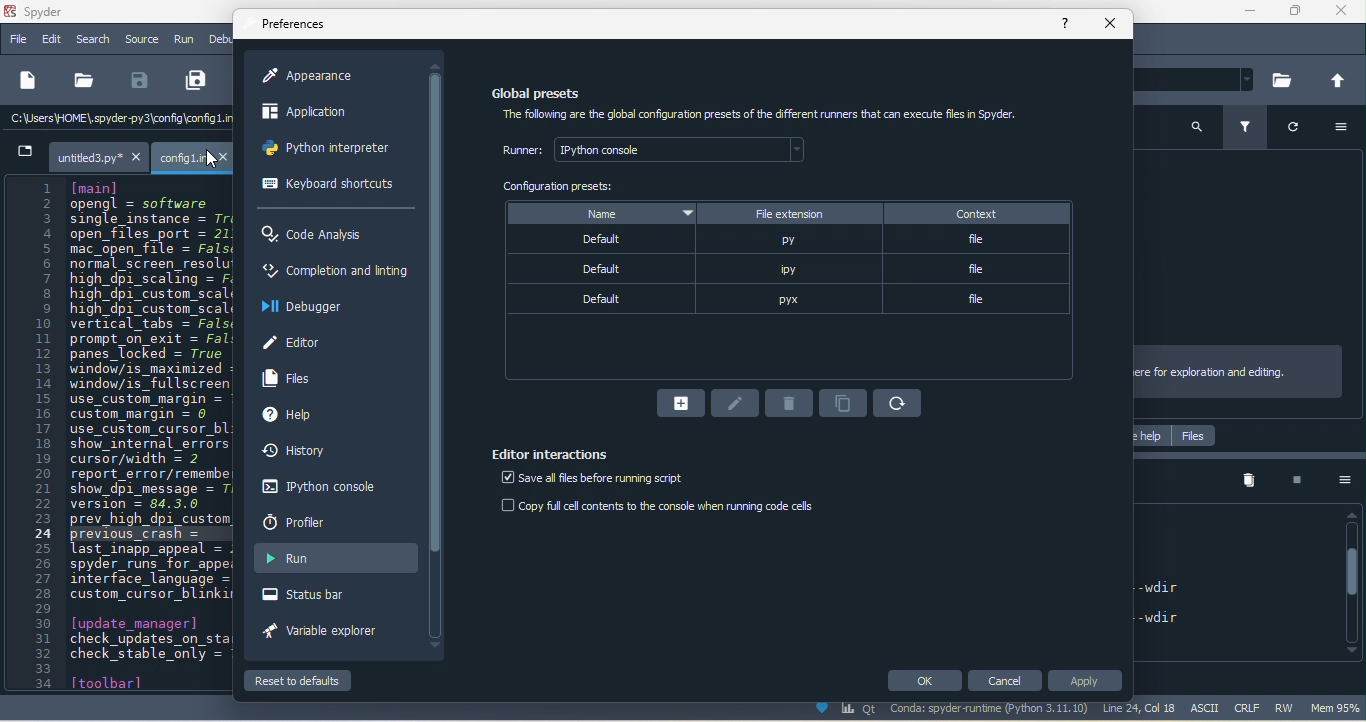  What do you see at coordinates (546, 96) in the screenshot?
I see `global setting panel appear` at bounding box center [546, 96].